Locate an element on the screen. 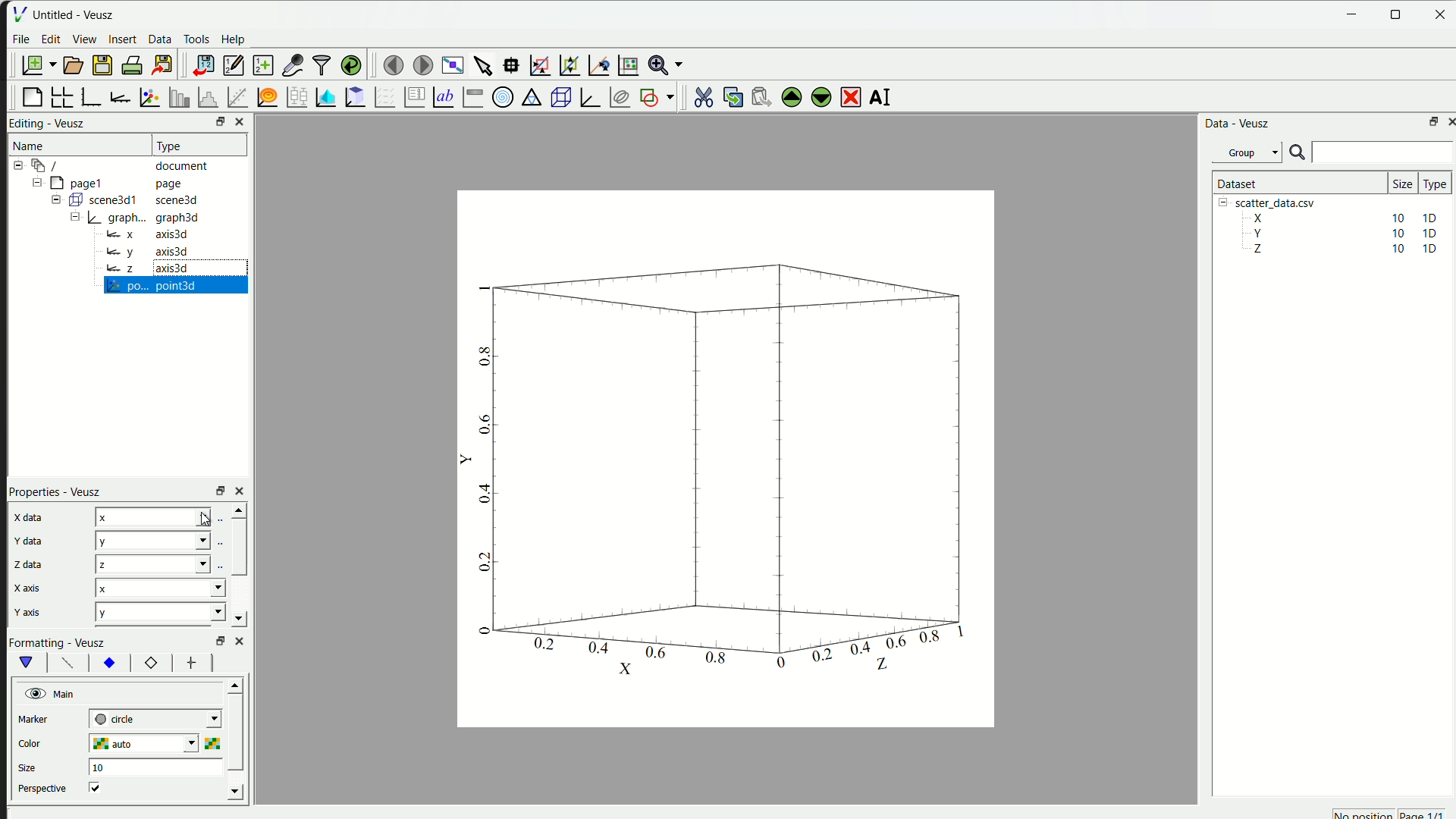  | Type is located at coordinates (1432, 184).